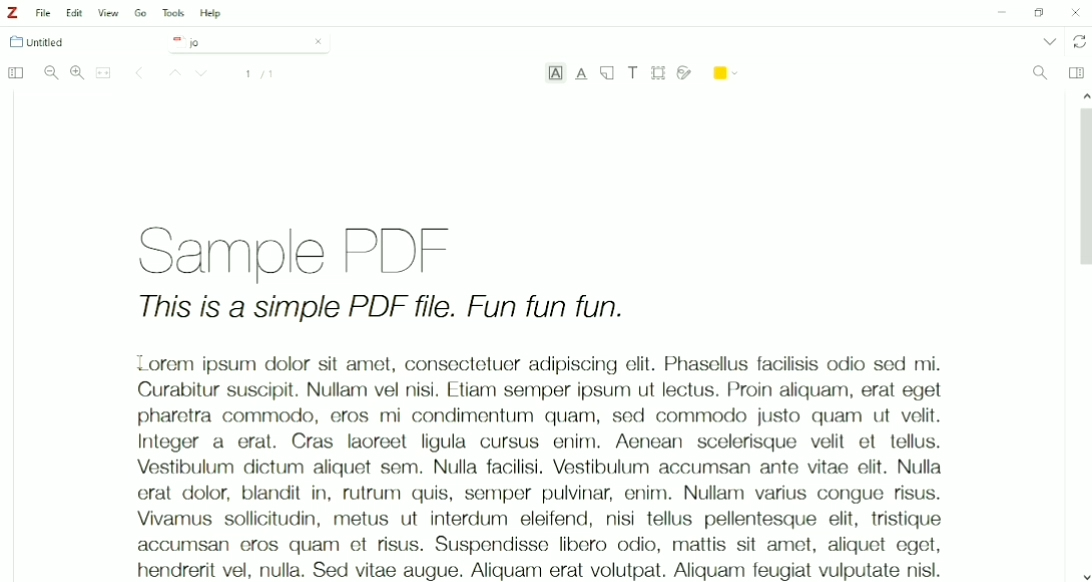 The image size is (1092, 582). What do you see at coordinates (12, 13) in the screenshot?
I see `Logo` at bounding box center [12, 13].